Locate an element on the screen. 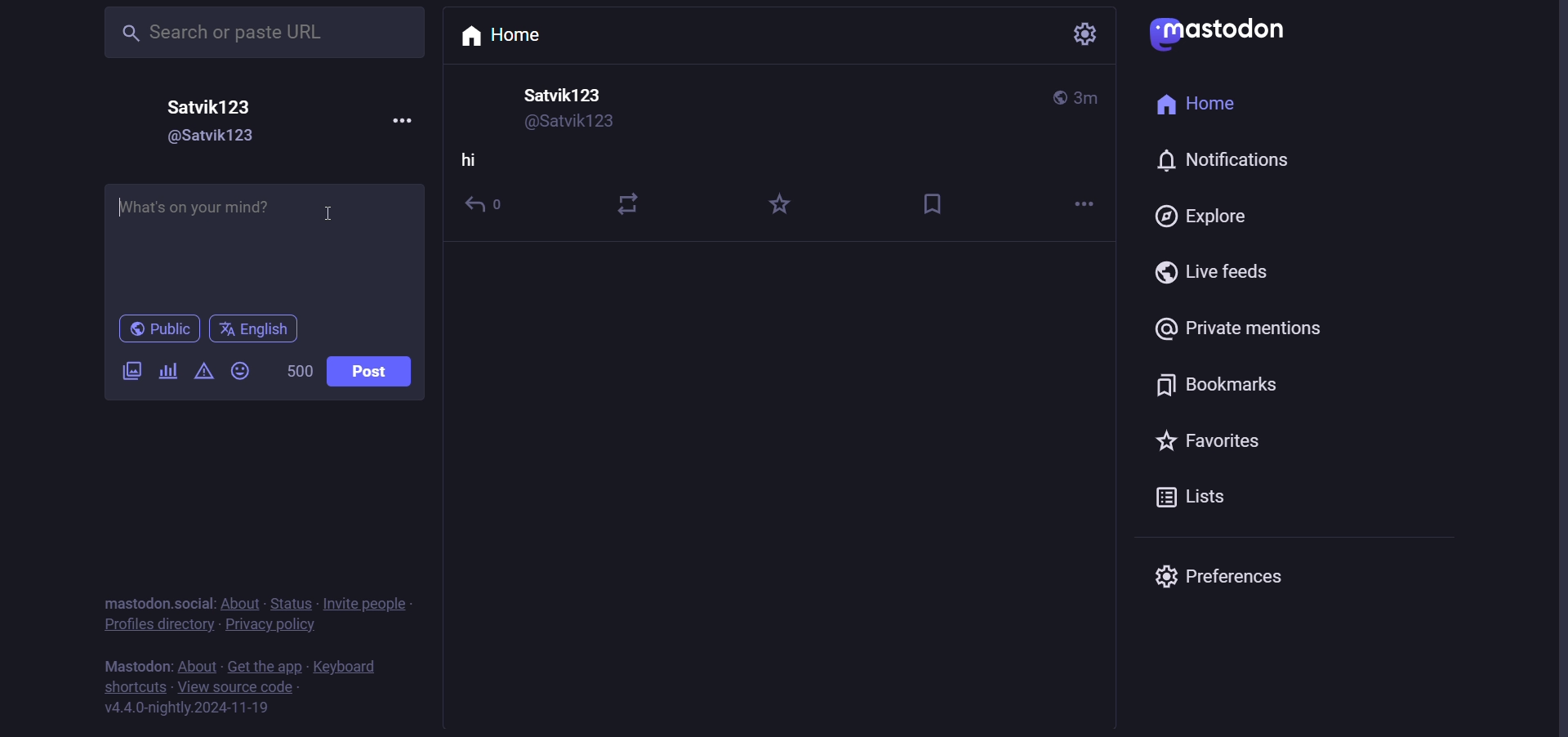 This screenshot has height=737, width=1568. favorite is located at coordinates (780, 206).